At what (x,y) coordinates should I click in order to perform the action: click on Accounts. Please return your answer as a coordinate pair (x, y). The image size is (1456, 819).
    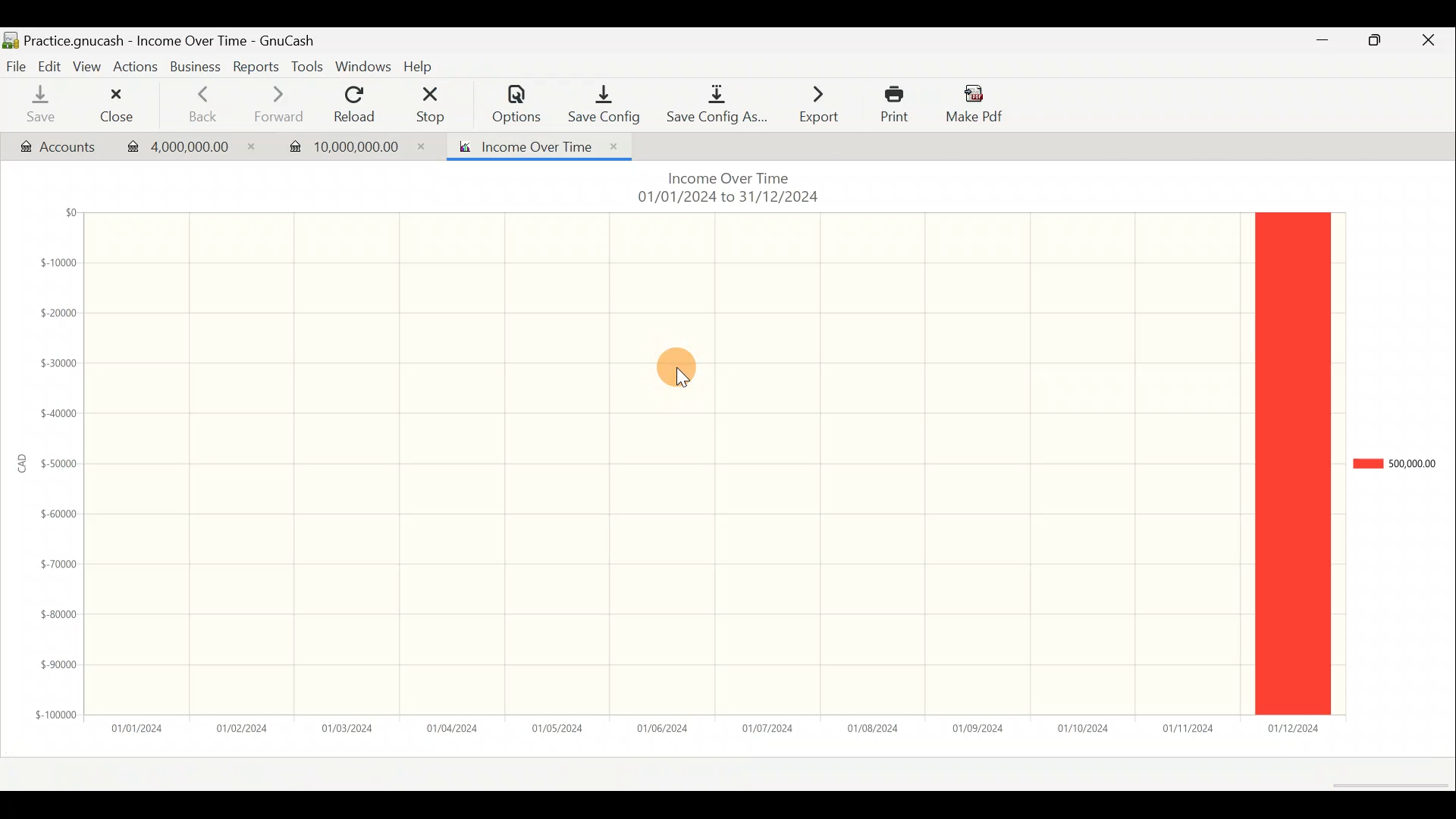
    Looking at the image, I should click on (59, 148).